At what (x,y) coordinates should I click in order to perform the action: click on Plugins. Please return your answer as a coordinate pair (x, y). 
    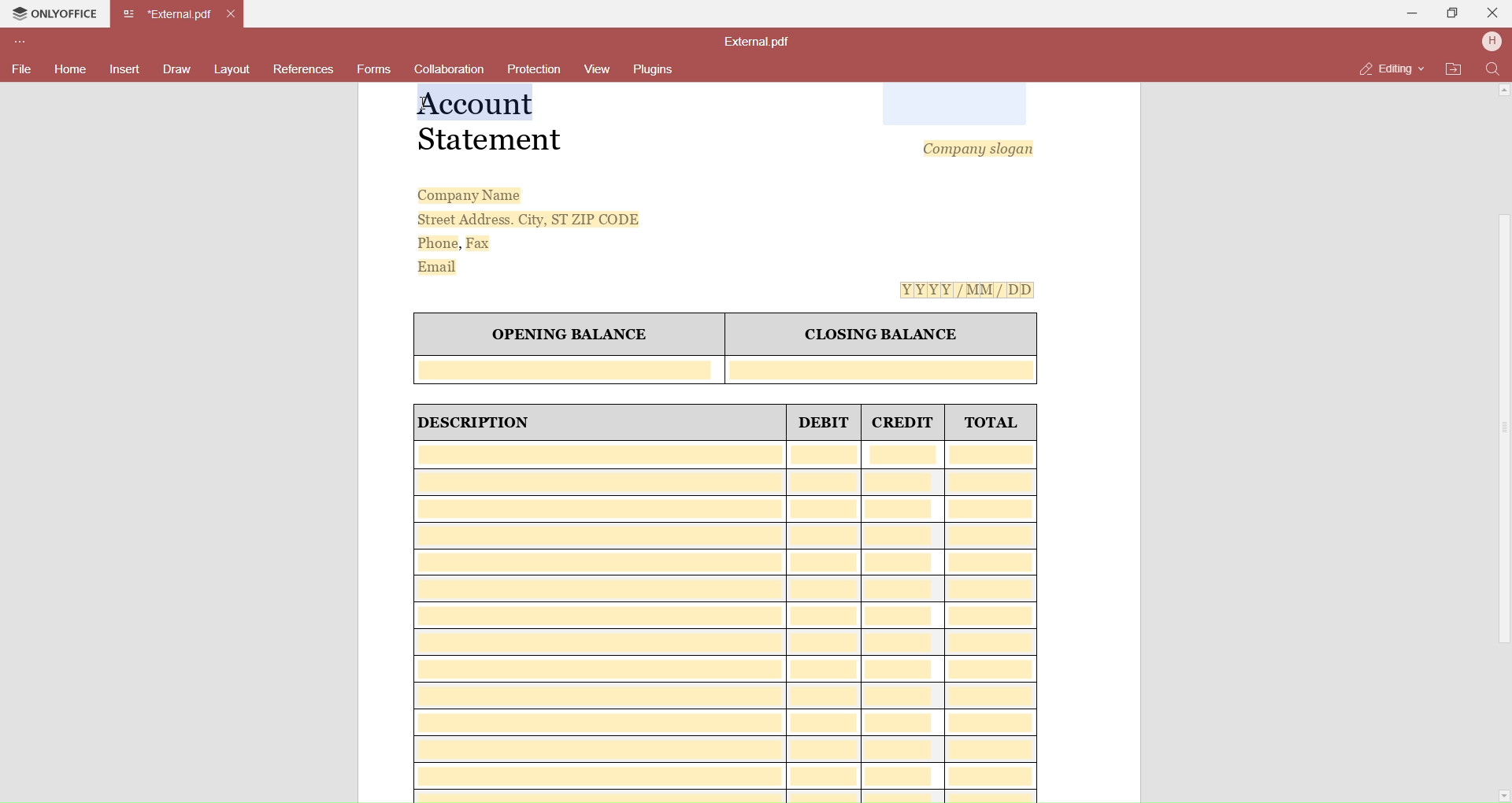
    Looking at the image, I should click on (658, 68).